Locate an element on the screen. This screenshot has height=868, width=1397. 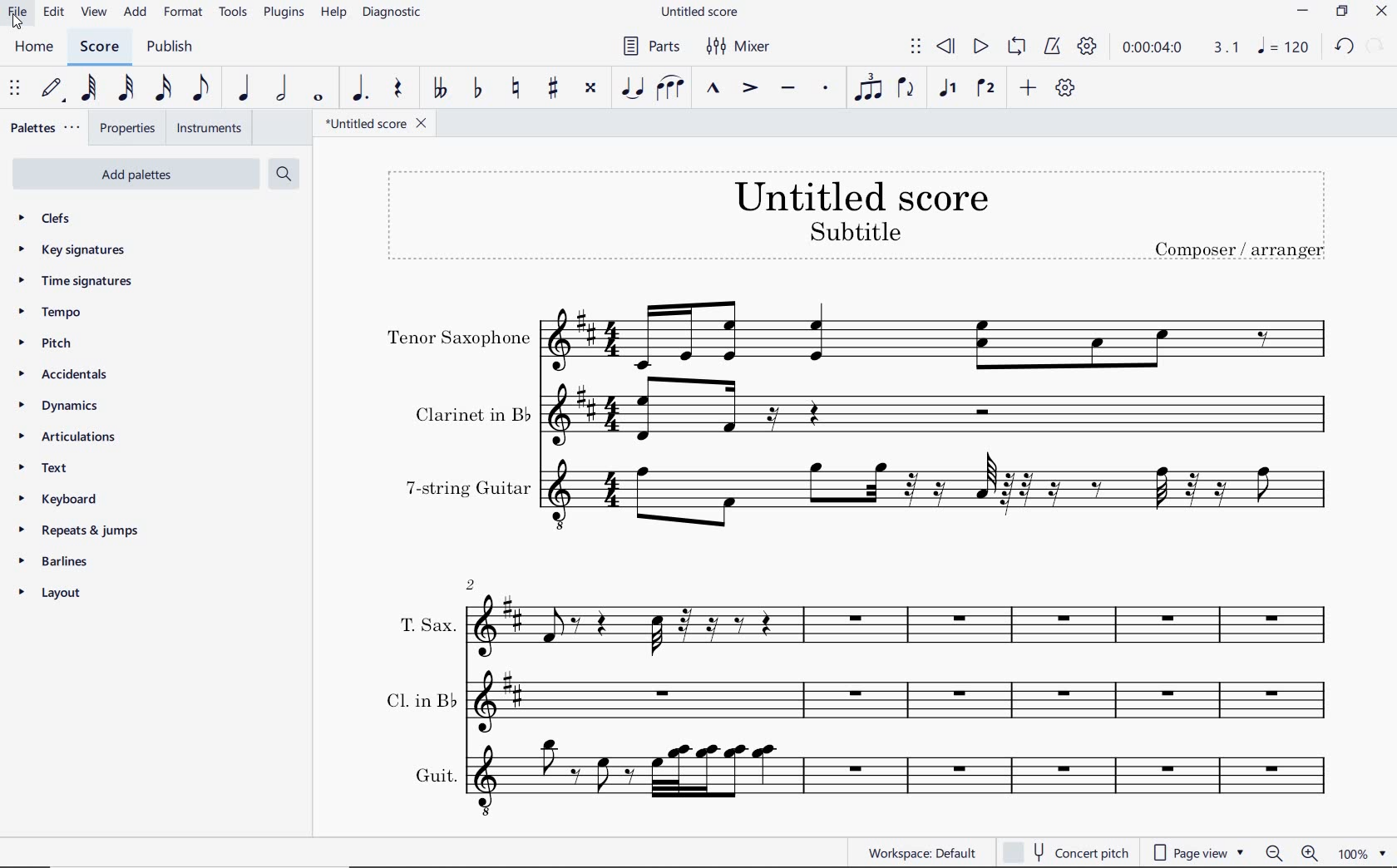
EIGHTH NOTE is located at coordinates (201, 91).